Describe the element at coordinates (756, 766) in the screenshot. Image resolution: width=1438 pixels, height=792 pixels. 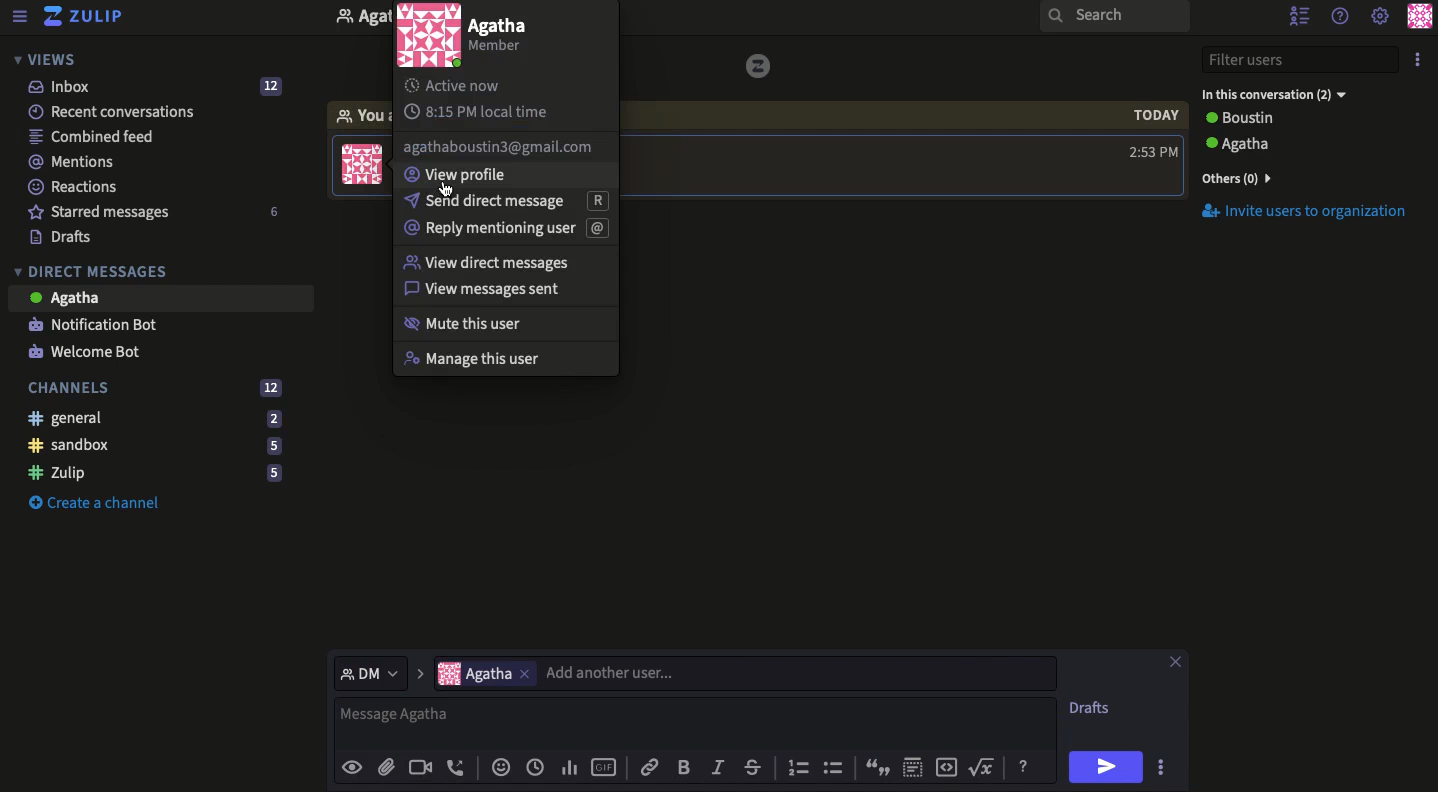
I see `Strikethrough ` at that location.